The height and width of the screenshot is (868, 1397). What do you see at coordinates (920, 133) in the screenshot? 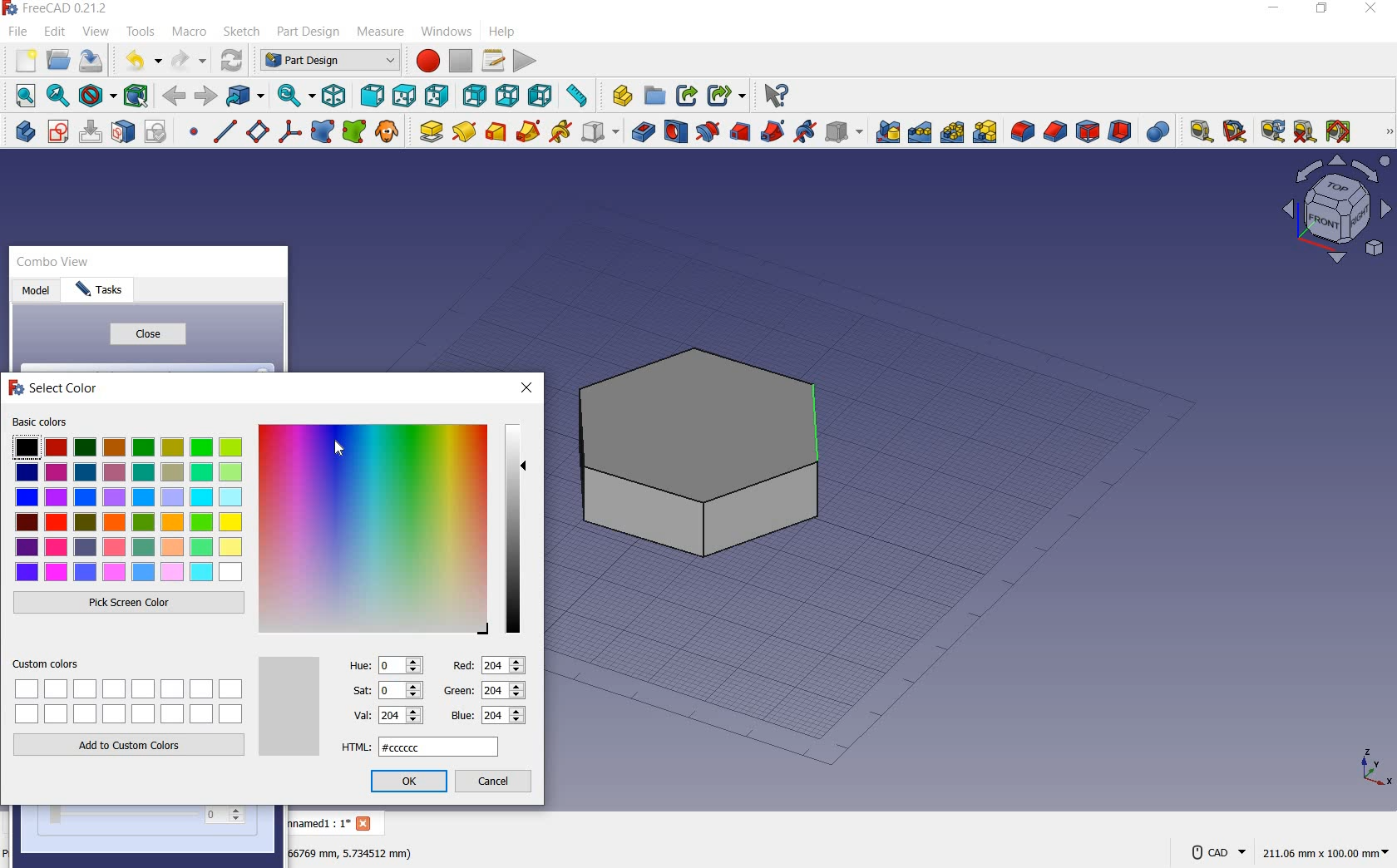
I see `linearpattern` at bounding box center [920, 133].